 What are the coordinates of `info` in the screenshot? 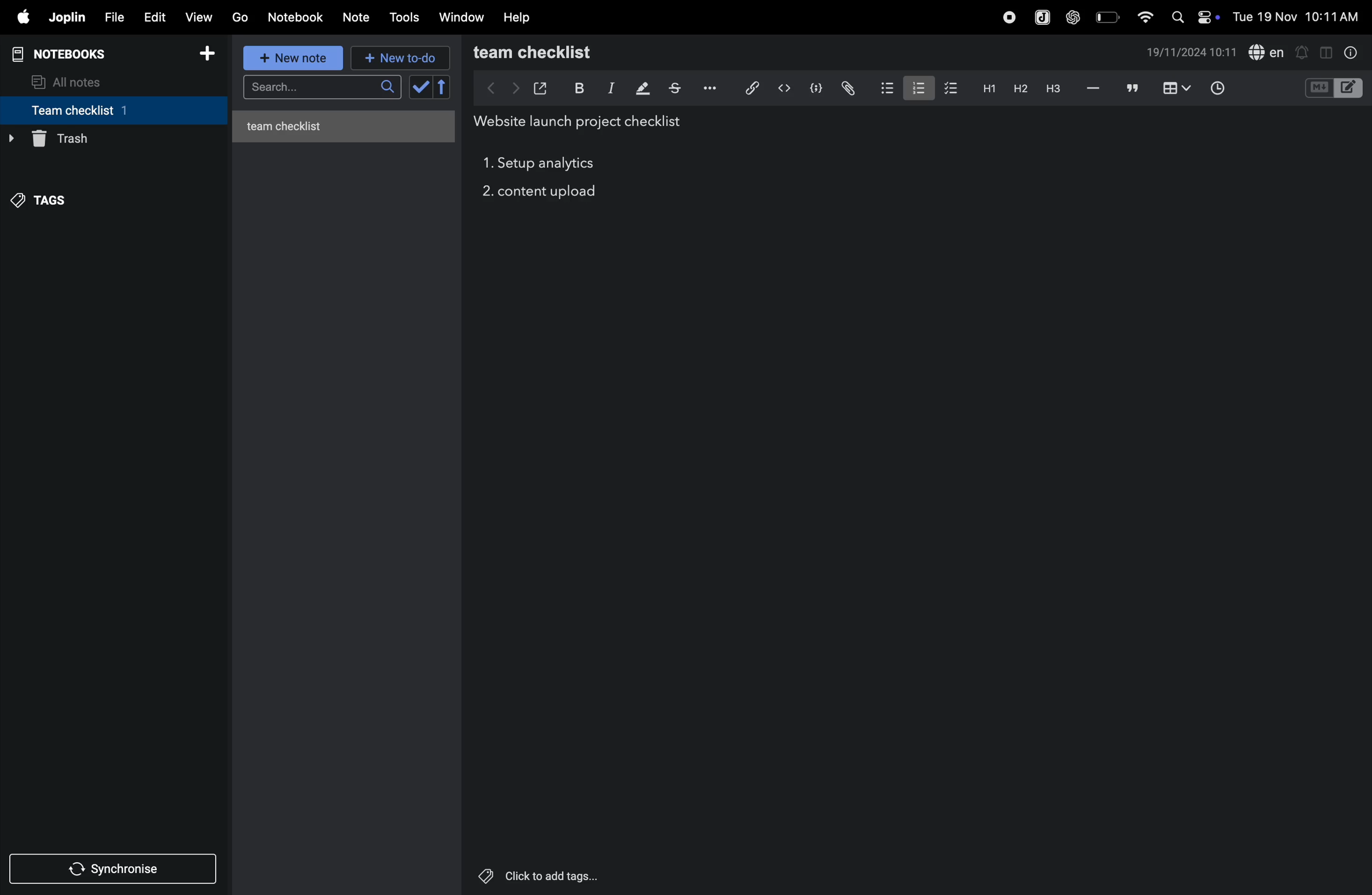 It's located at (1348, 52).